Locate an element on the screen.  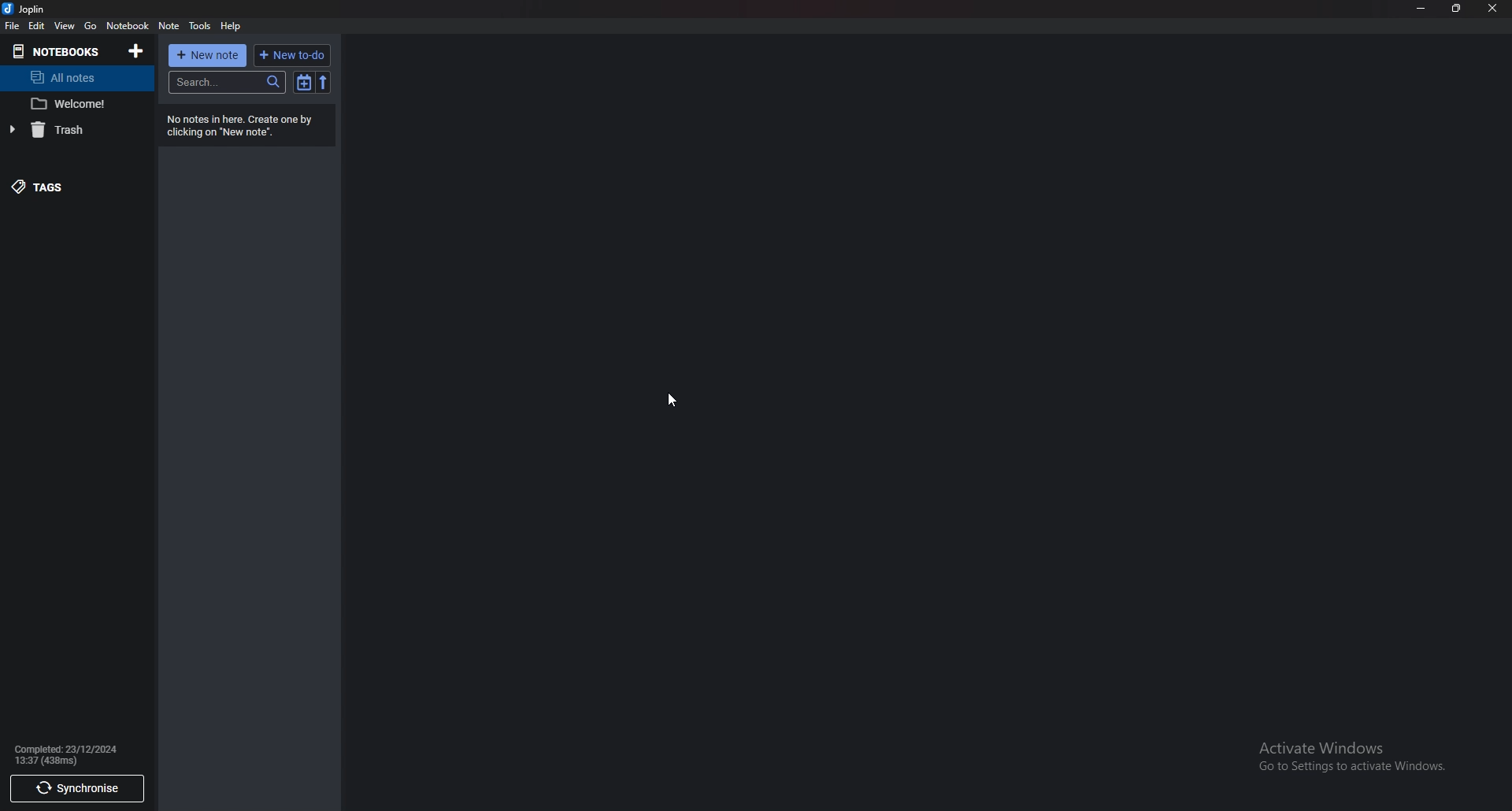
view is located at coordinates (64, 26).